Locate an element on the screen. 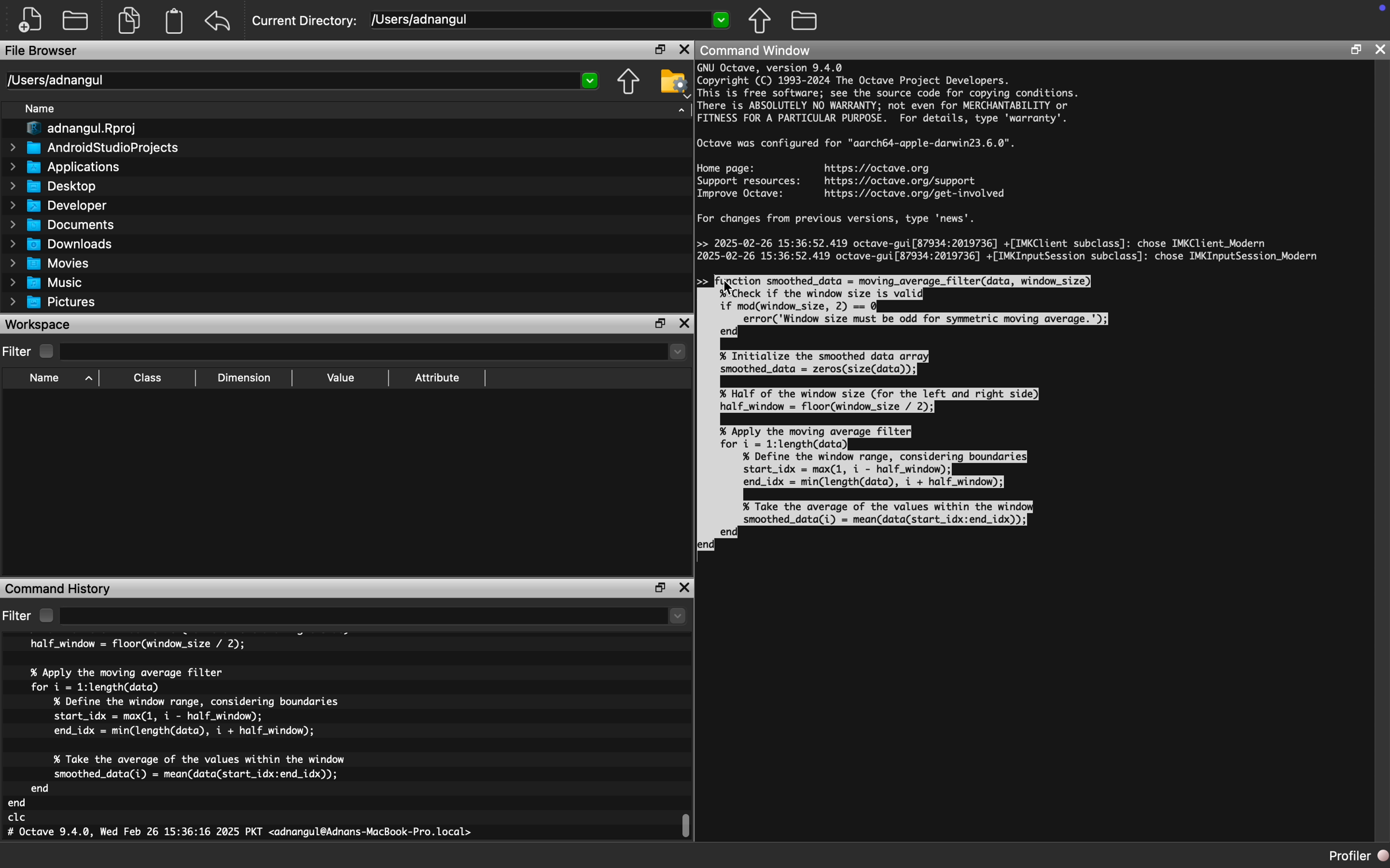 This screenshot has height=868, width=1390. Attribute is located at coordinates (438, 378).